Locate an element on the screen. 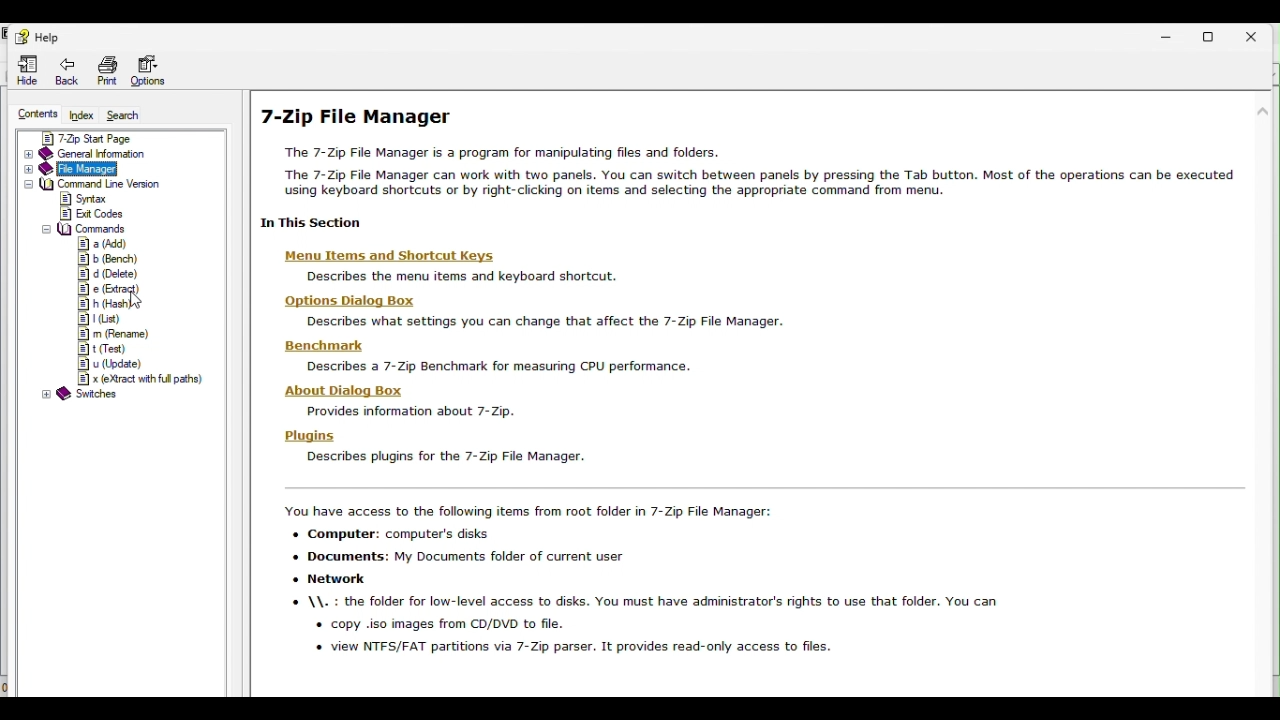 The image size is (1280, 720). e( extract ) is located at coordinates (97, 287).